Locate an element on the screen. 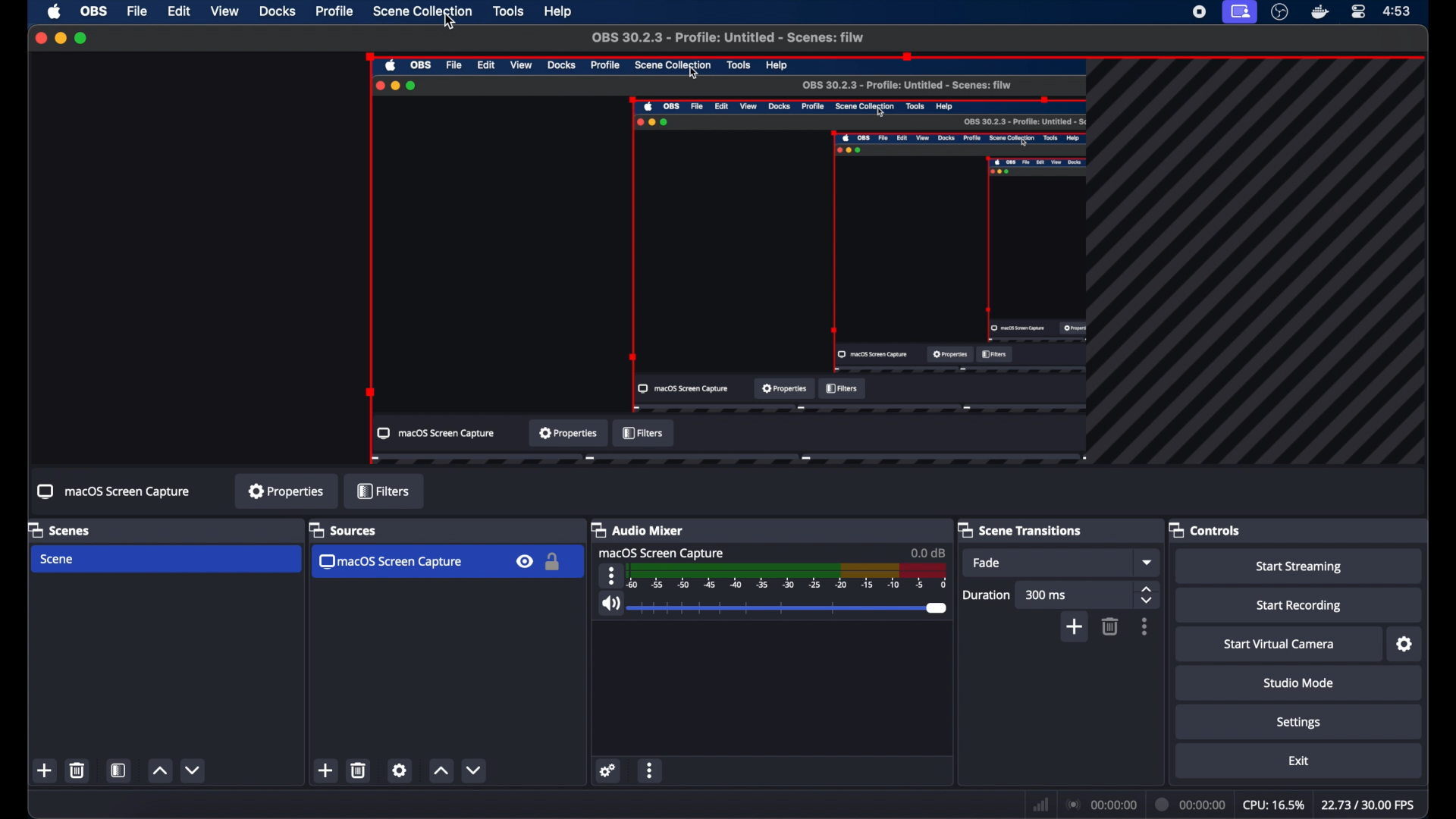  obs is located at coordinates (94, 11).